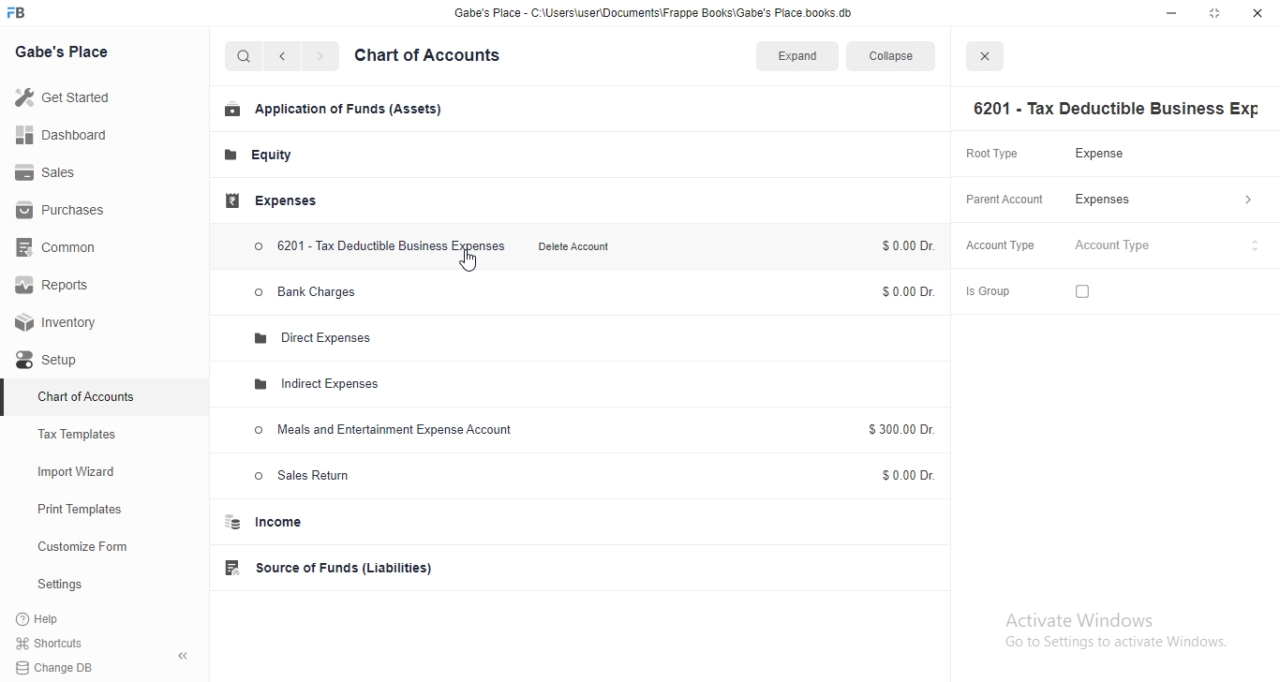  I want to click on Expand, so click(1126, 58).